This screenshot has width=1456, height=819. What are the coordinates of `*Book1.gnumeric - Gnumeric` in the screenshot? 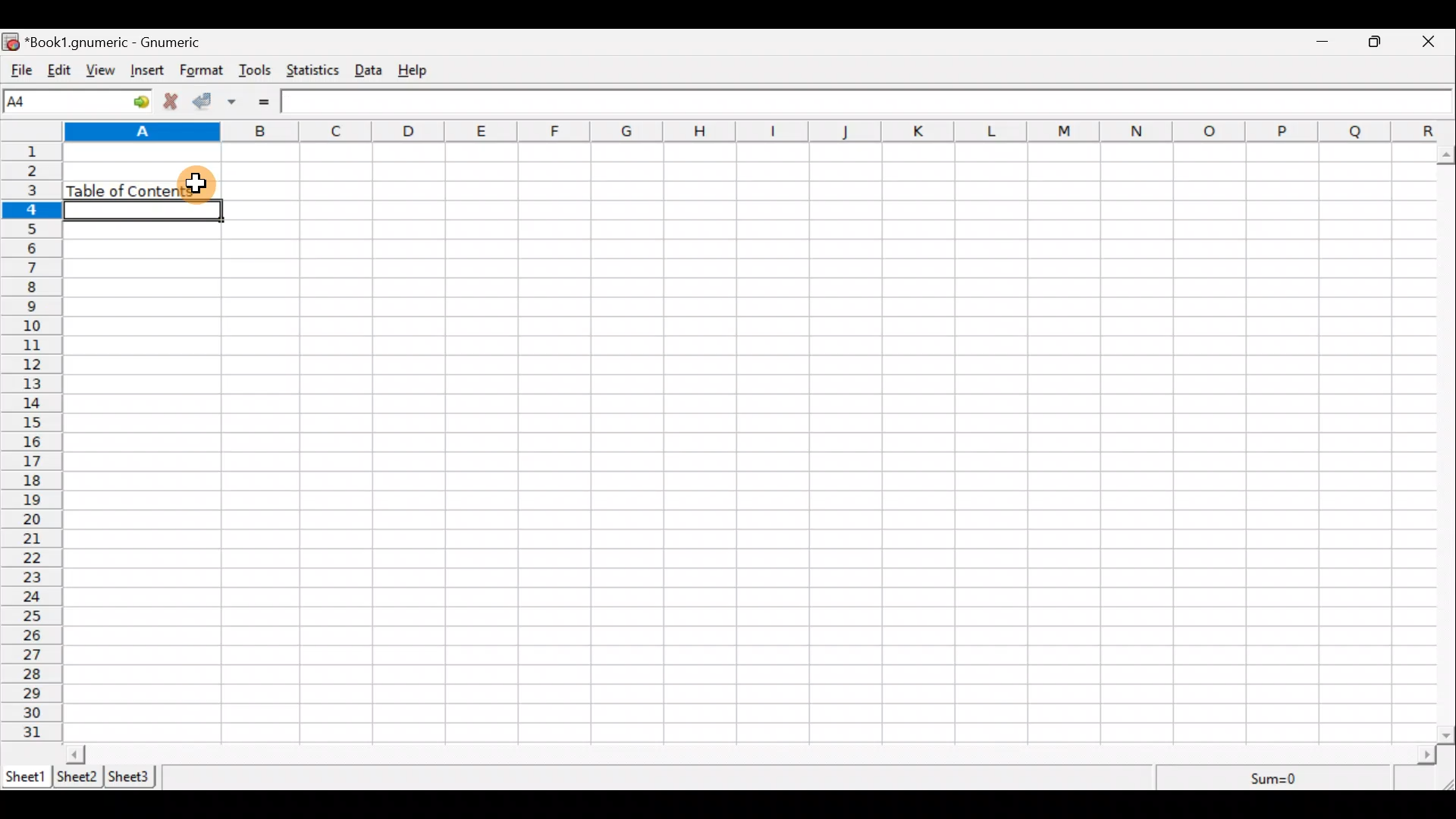 It's located at (117, 42).